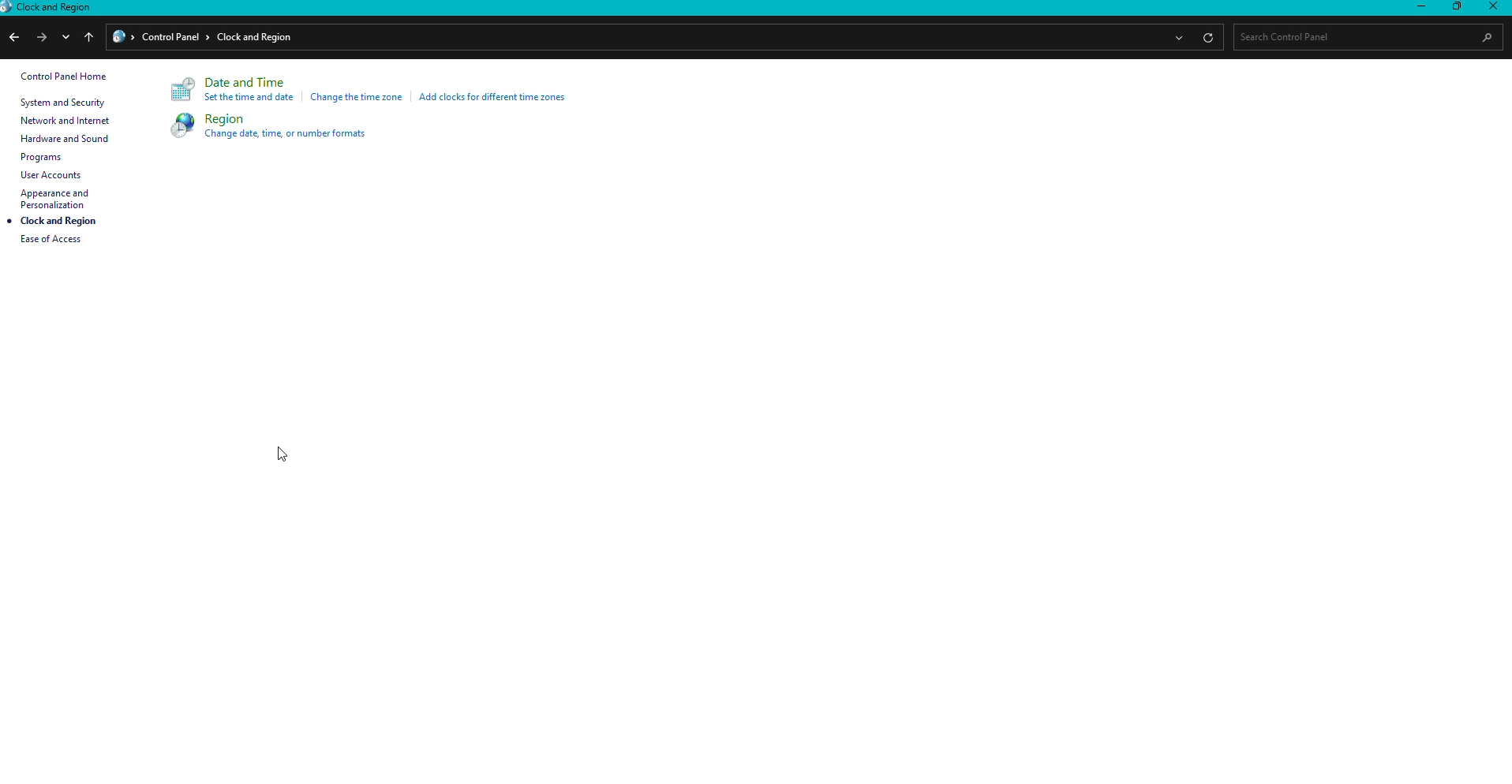 The width and height of the screenshot is (1512, 784). I want to click on more options, so click(1177, 39).